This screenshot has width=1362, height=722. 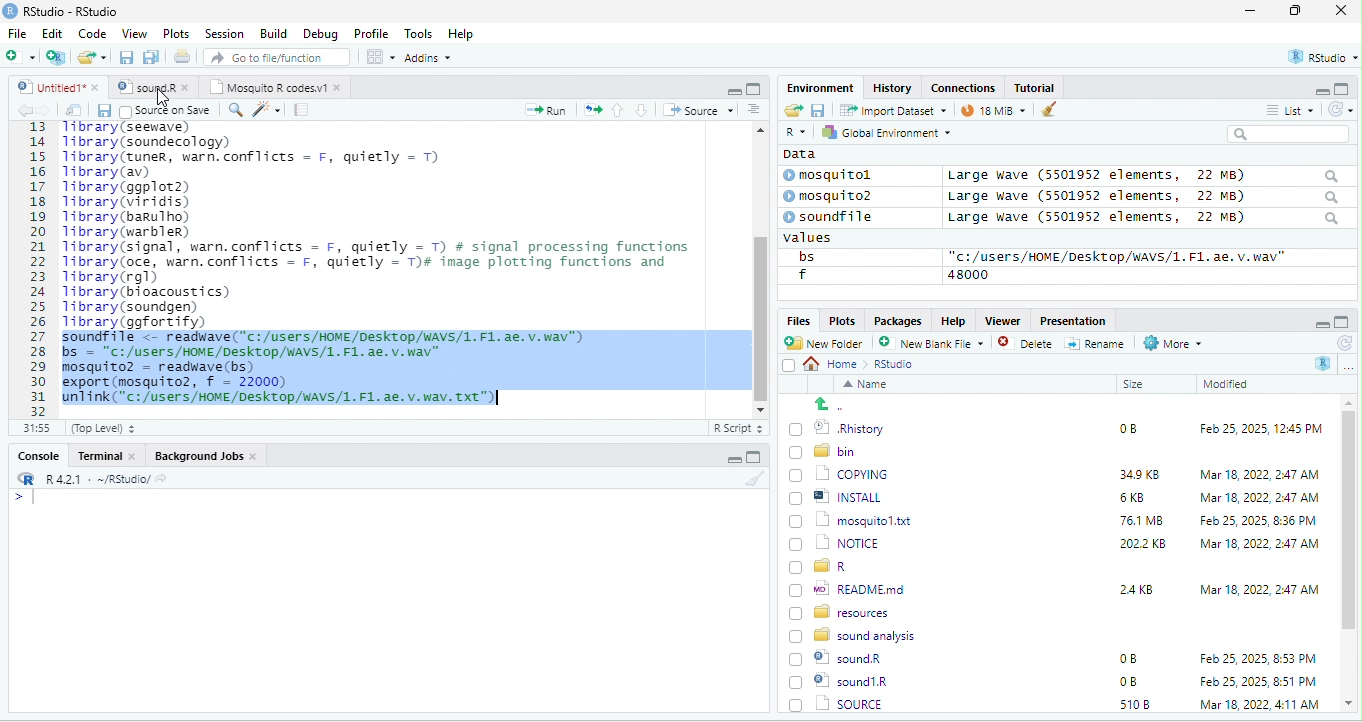 I want to click on cursor, so click(x=161, y=102).